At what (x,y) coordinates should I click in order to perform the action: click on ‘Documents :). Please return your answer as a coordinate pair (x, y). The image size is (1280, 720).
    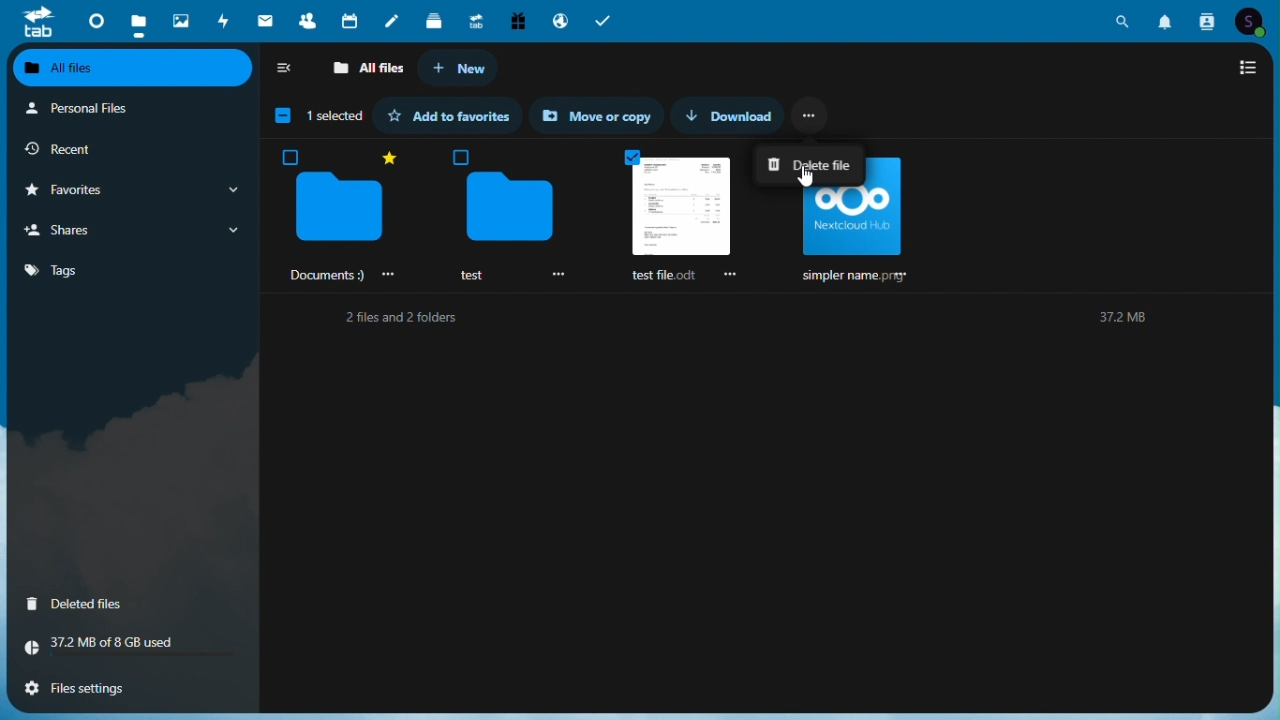
    Looking at the image, I should click on (339, 215).